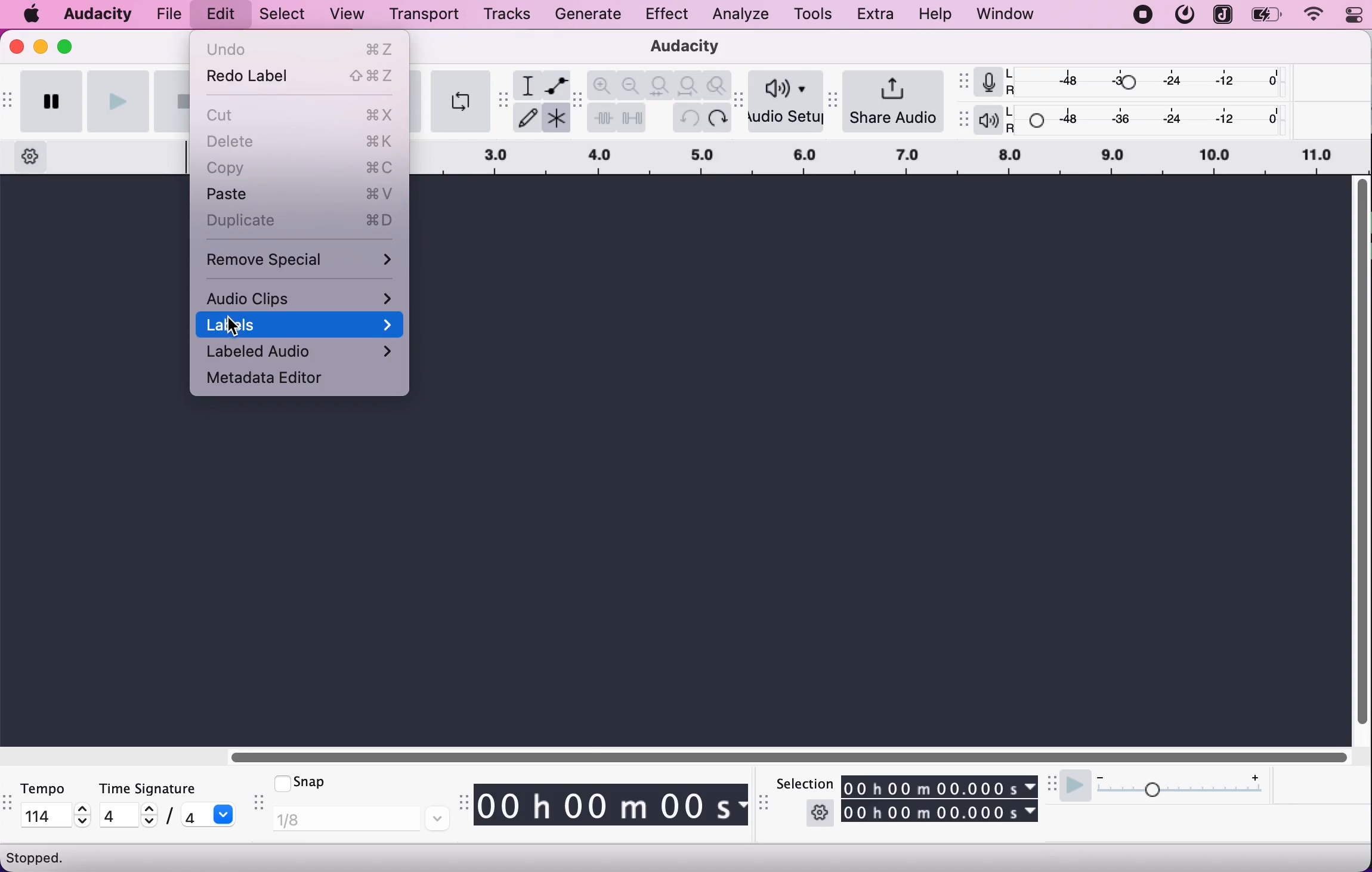 The width and height of the screenshot is (1372, 872). What do you see at coordinates (301, 48) in the screenshot?
I see `undo` at bounding box center [301, 48].